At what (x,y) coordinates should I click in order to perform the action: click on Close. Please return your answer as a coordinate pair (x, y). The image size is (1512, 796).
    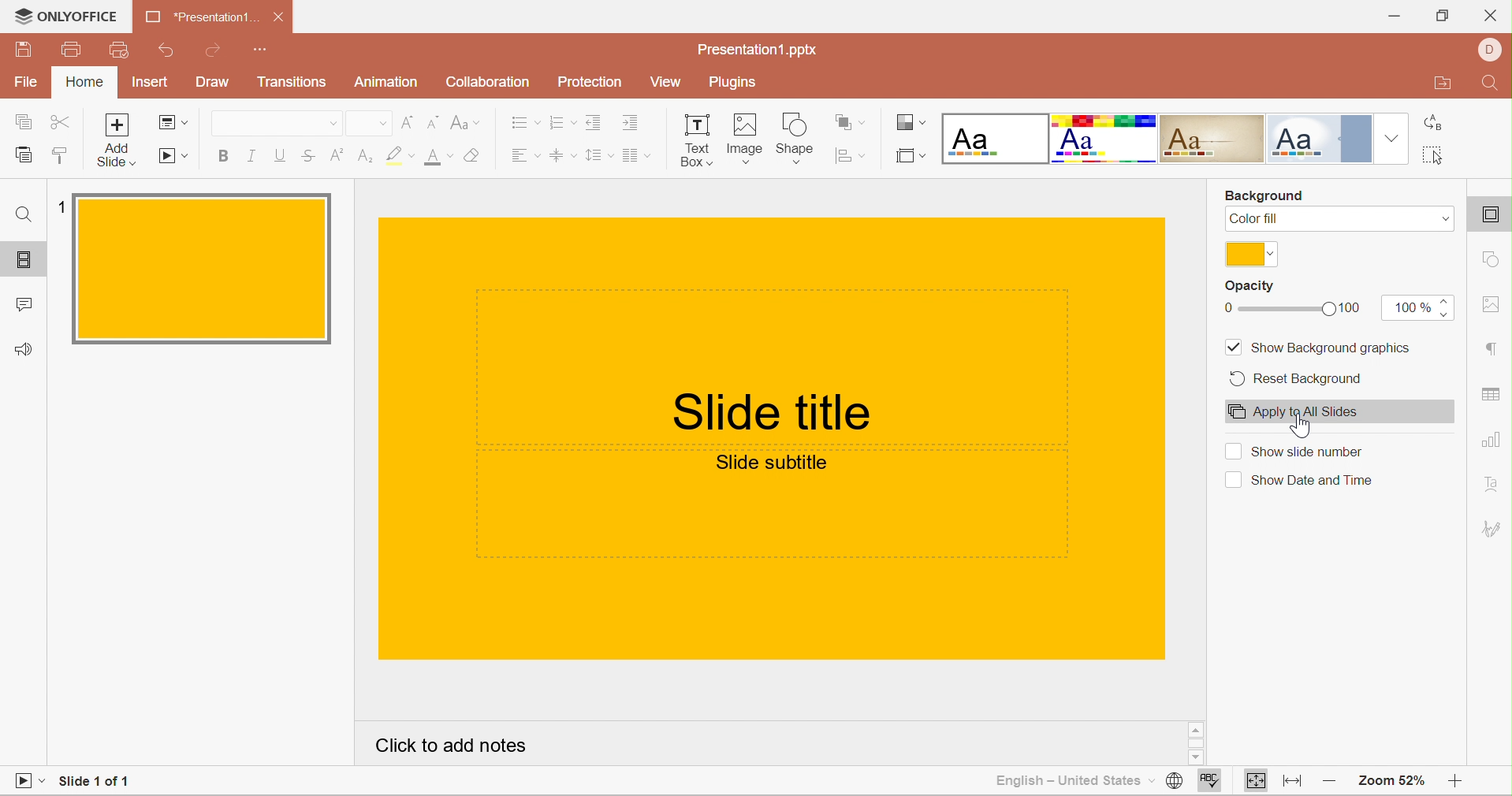
    Looking at the image, I should click on (280, 17).